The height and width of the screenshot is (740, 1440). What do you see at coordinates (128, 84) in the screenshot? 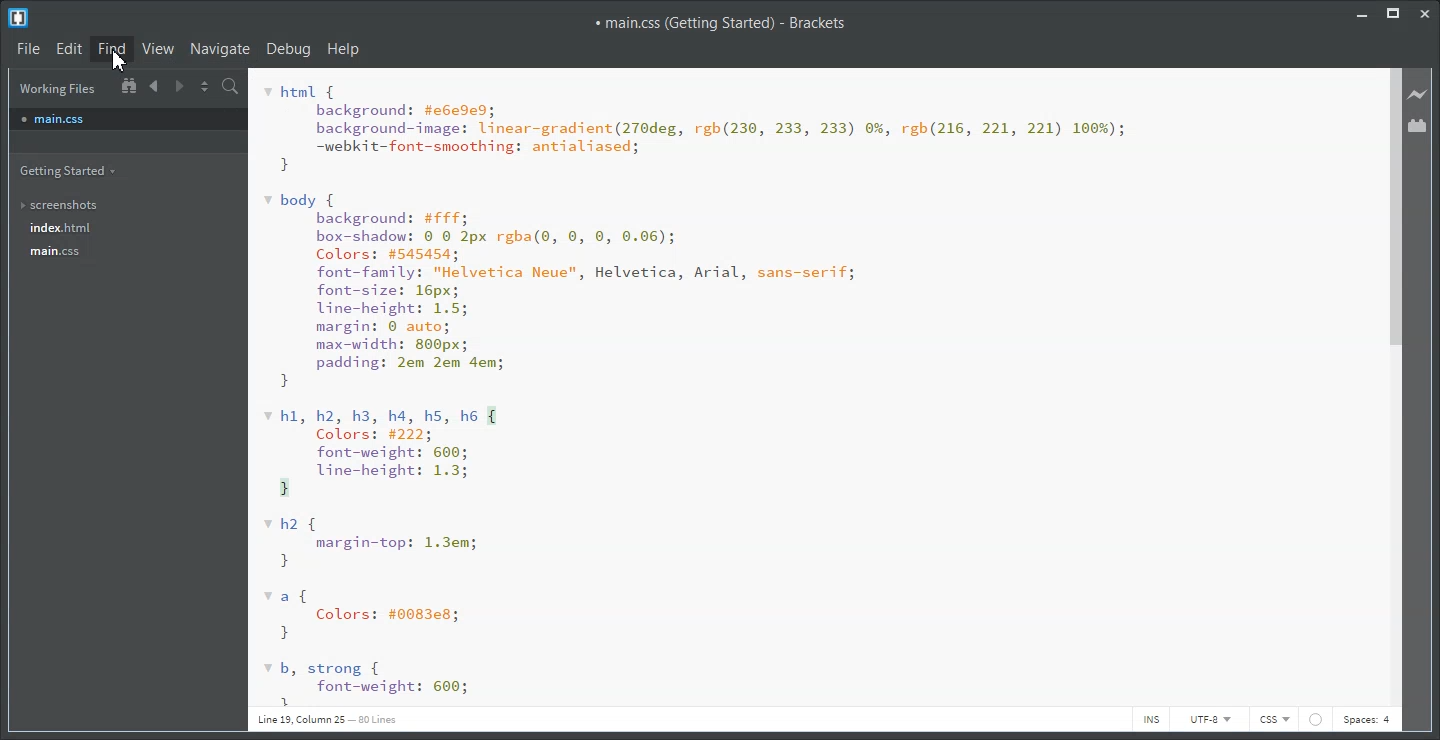
I see `Show In the file tree` at bounding box center [128, 84].